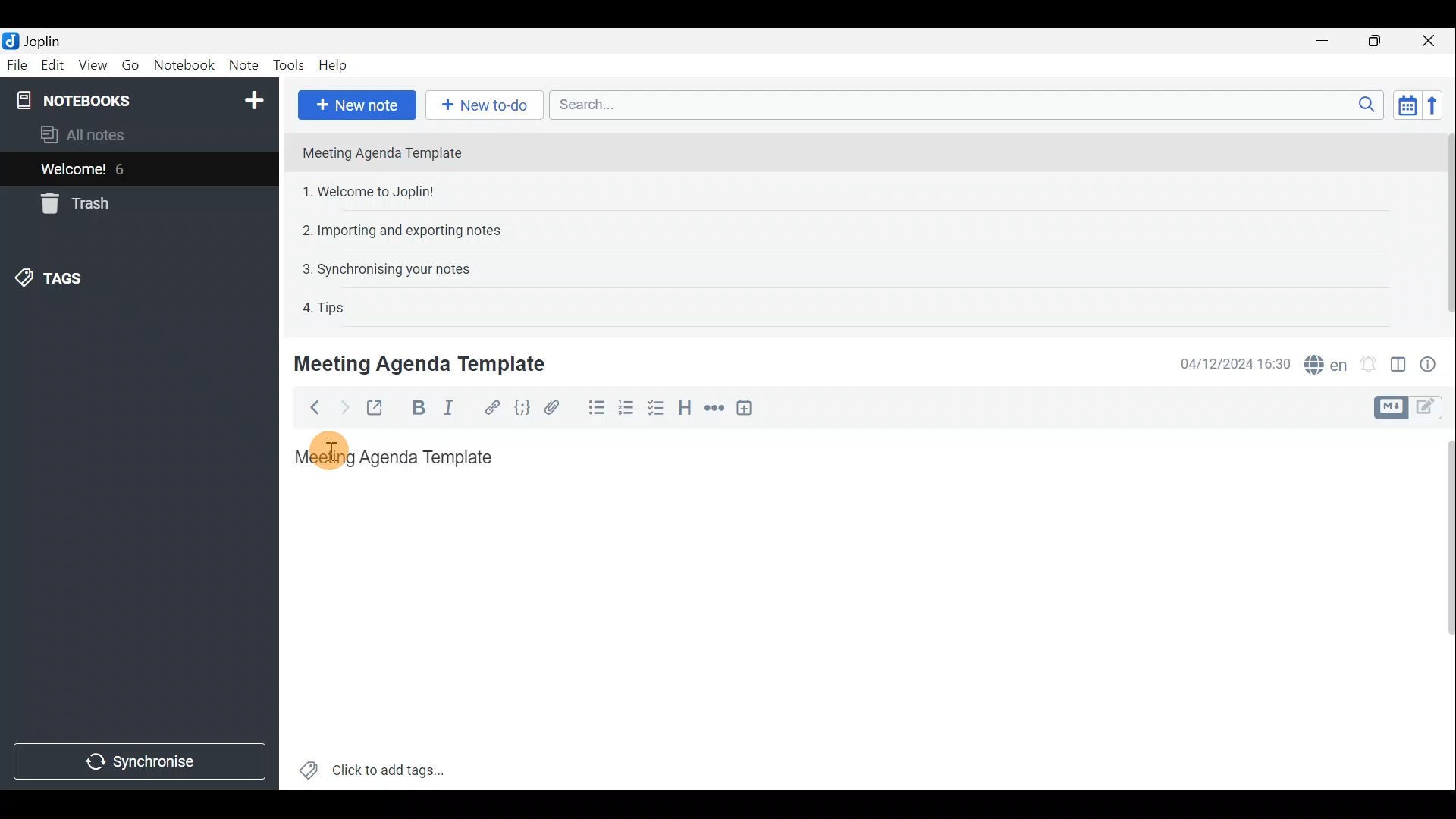  What do you see at coordinates (654, 409) in the screenshot?
I see `Checkbox` at bounding box center [654, 409].